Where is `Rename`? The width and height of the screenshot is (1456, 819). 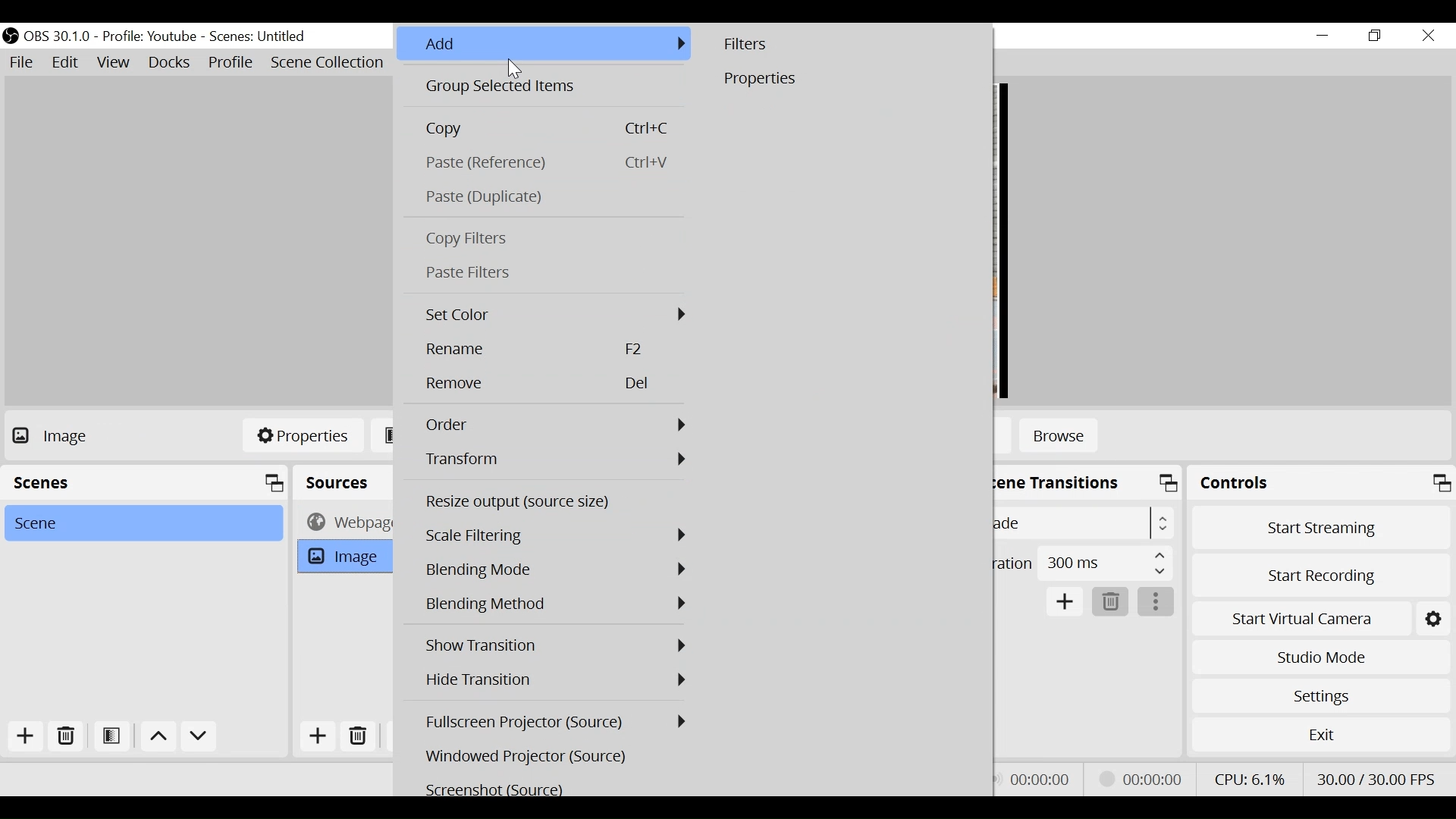 Rename is located at coordinates (552, 350).